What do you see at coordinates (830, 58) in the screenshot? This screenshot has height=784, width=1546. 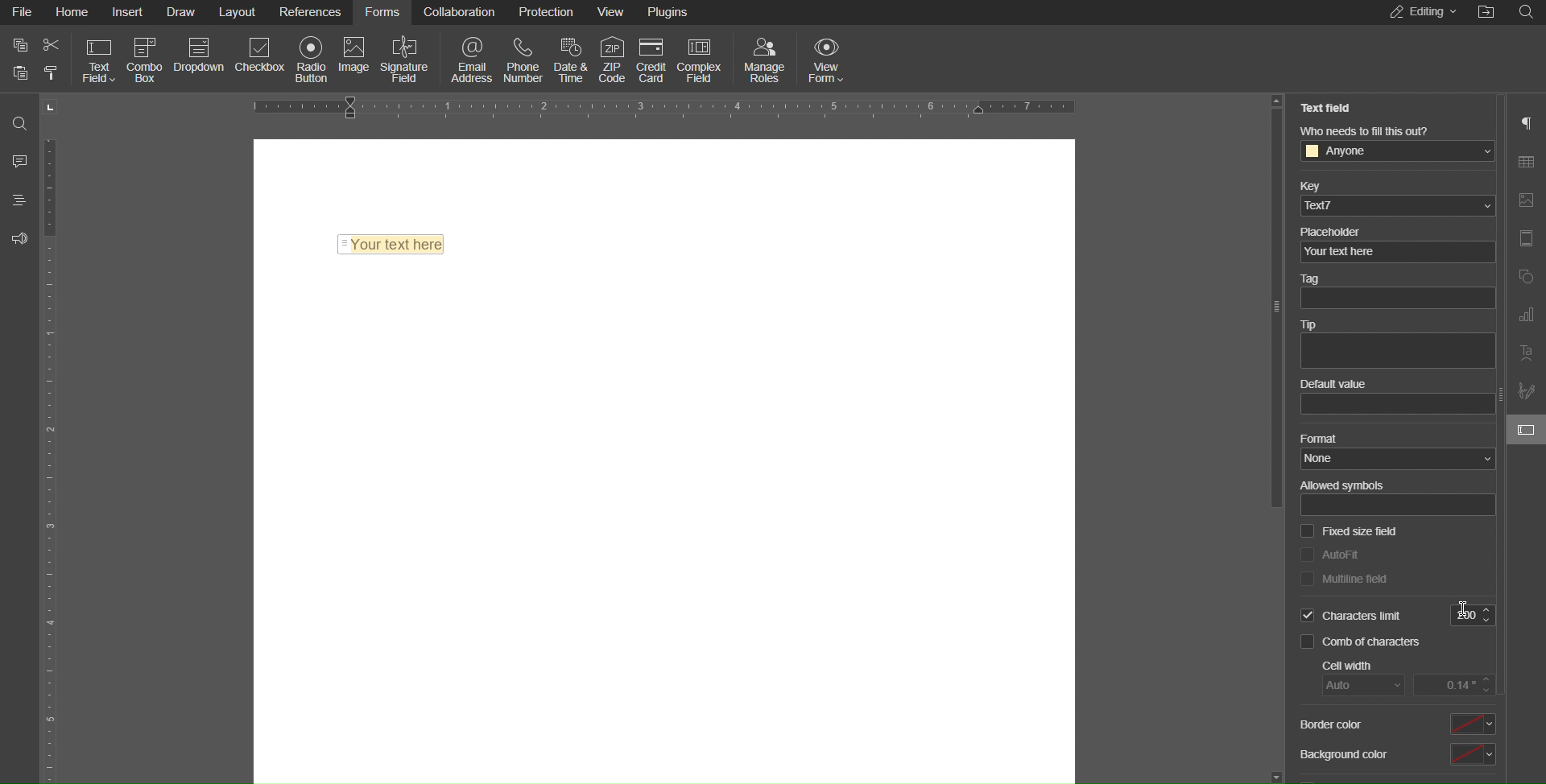 I see `View Form` at bounding box center [830, 58].